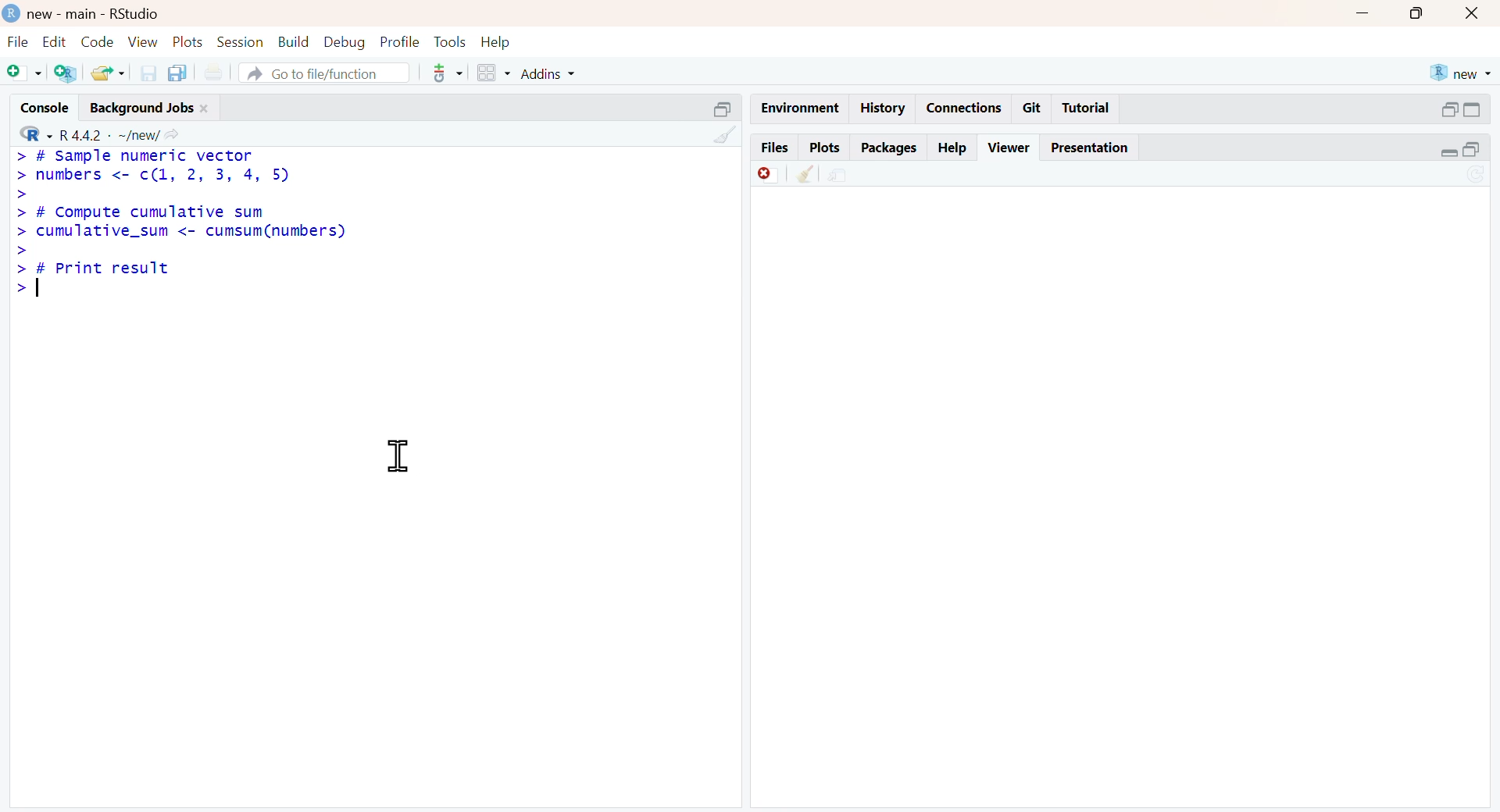 This screenshot has width=1500, height=812. Describe the element at coordinates (1031, 109) in the screenshot. I see `Git` at that location.